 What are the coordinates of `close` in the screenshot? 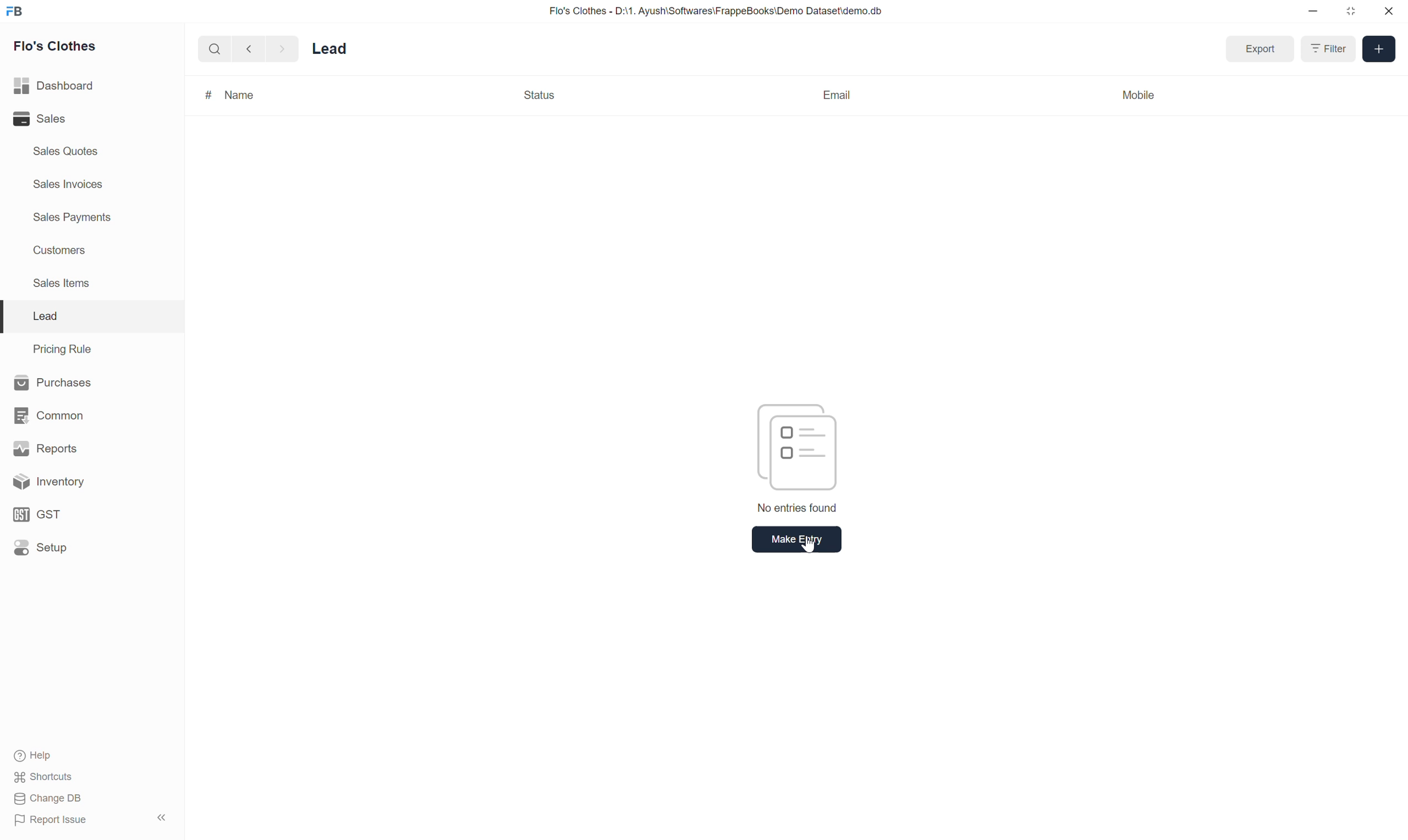 It's located at (1387, 11).